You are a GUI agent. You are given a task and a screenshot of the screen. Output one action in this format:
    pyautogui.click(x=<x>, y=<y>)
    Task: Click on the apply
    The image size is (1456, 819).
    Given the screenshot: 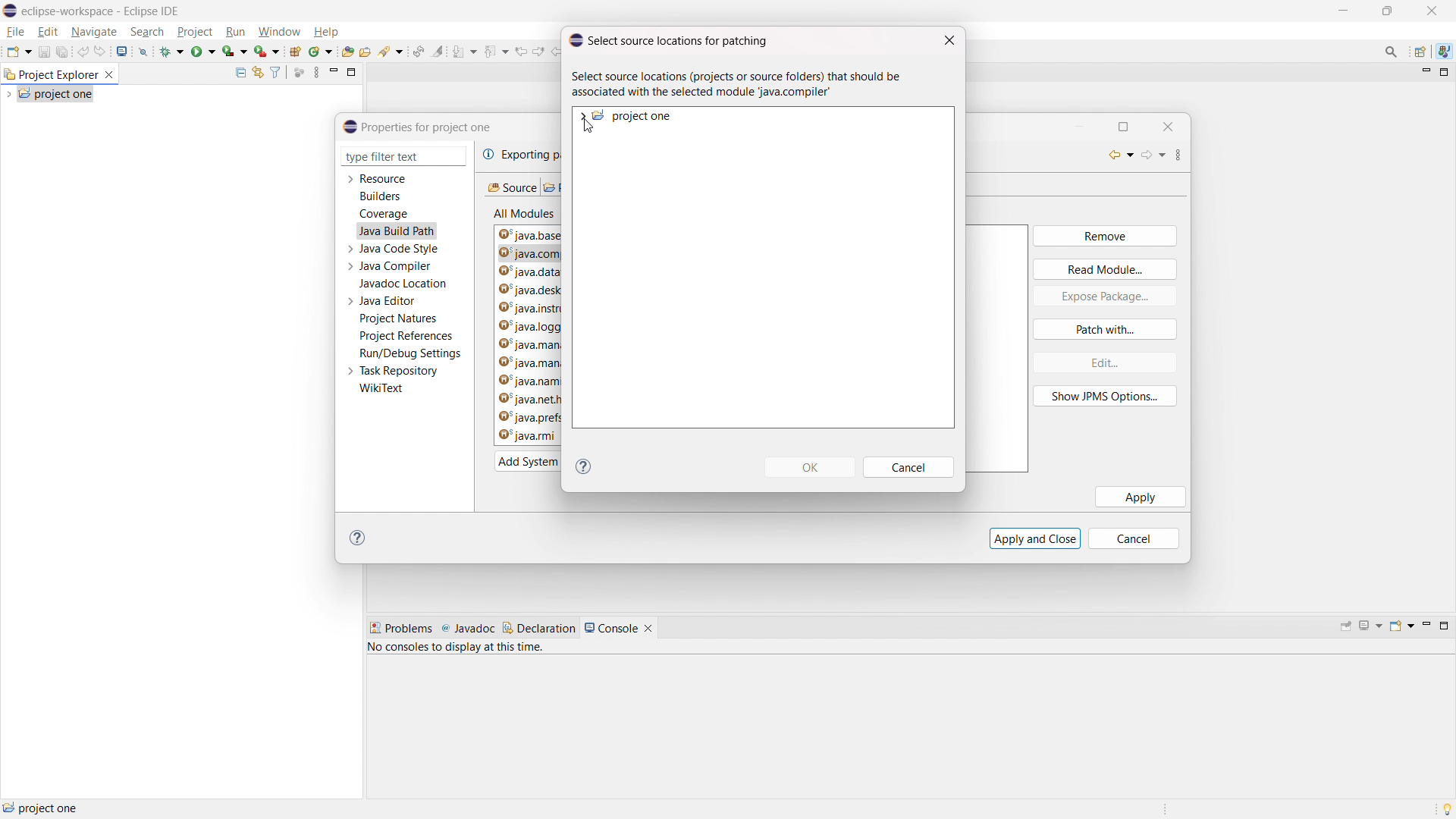 What is the action you would take?
    pyautogui.click(x=1141, y=497)
    